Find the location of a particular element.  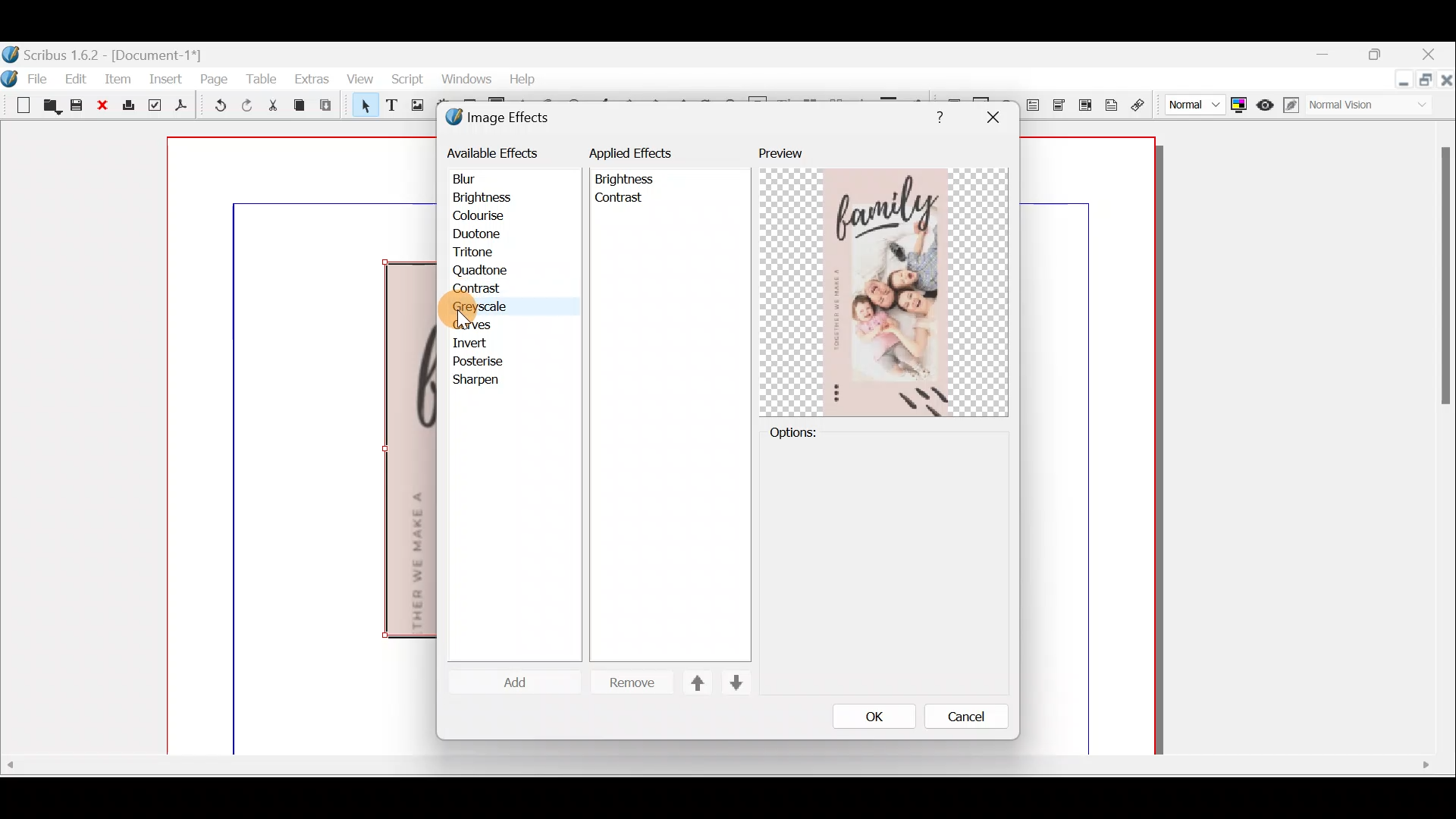

Text annotation is located at coordinates (1112, 108).